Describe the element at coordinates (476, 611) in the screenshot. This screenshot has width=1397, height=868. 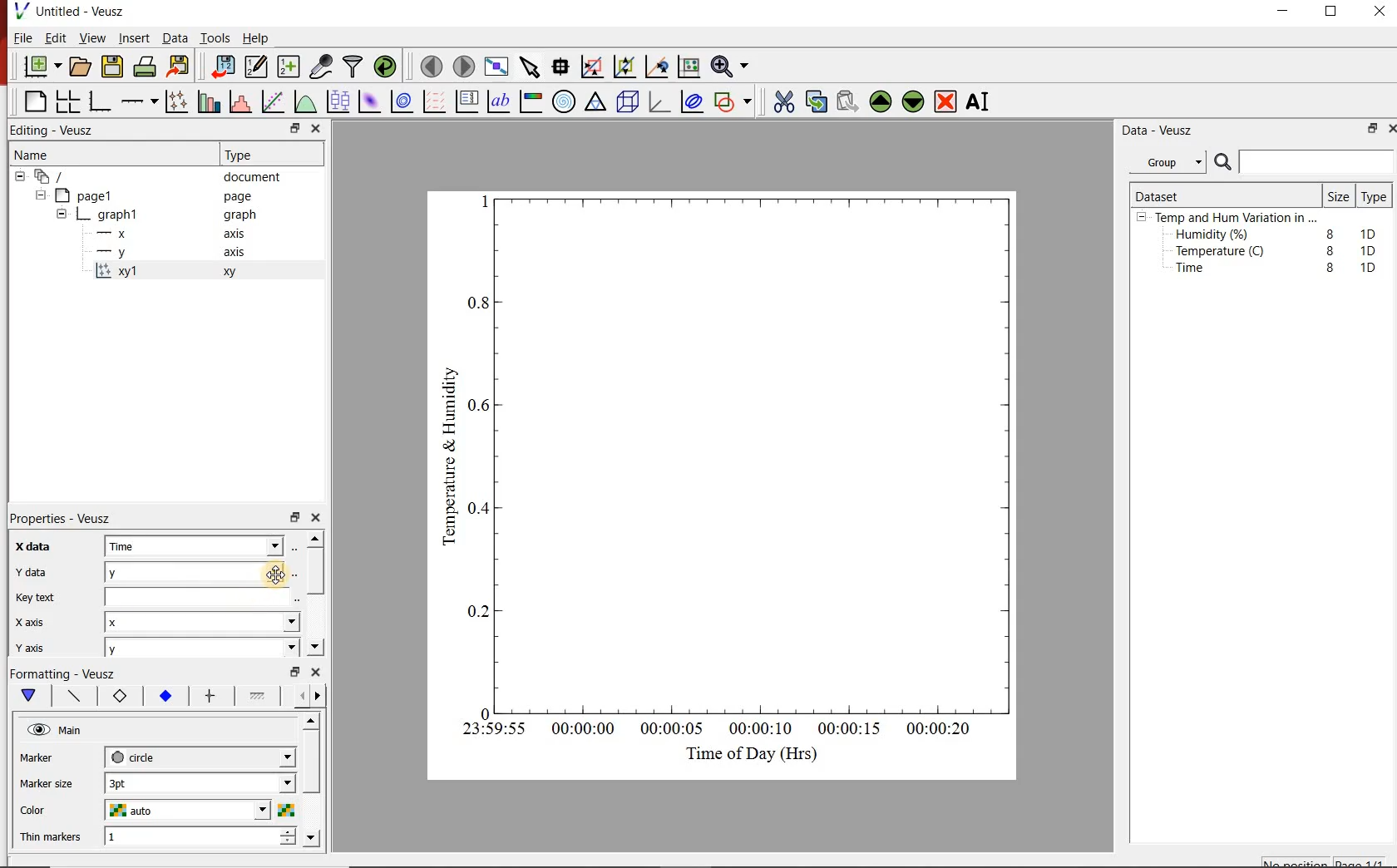
I see `0.2` at that location.